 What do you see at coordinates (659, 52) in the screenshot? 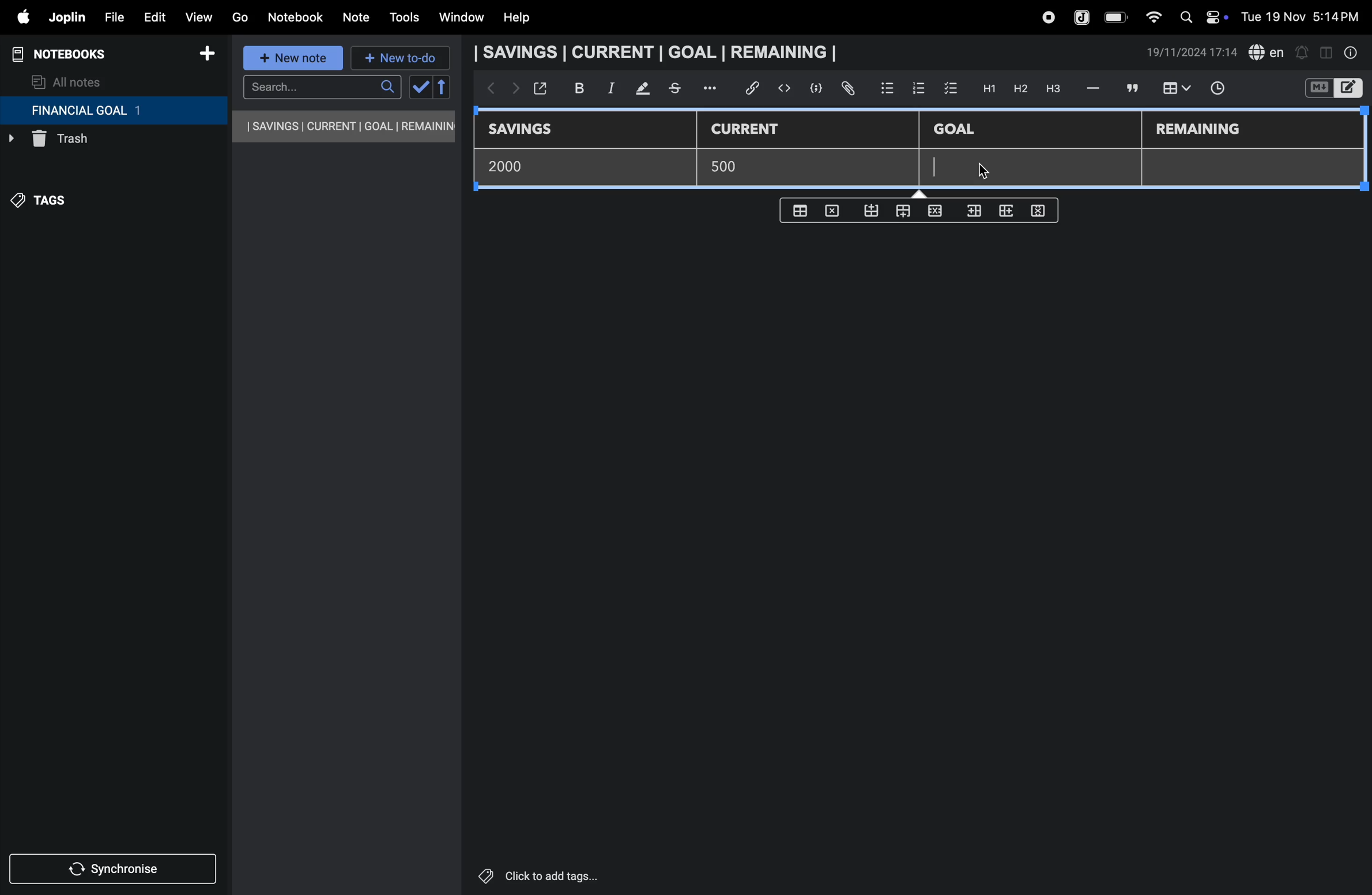
I see `savings current goal remaining` at bounding box center [659, 52].